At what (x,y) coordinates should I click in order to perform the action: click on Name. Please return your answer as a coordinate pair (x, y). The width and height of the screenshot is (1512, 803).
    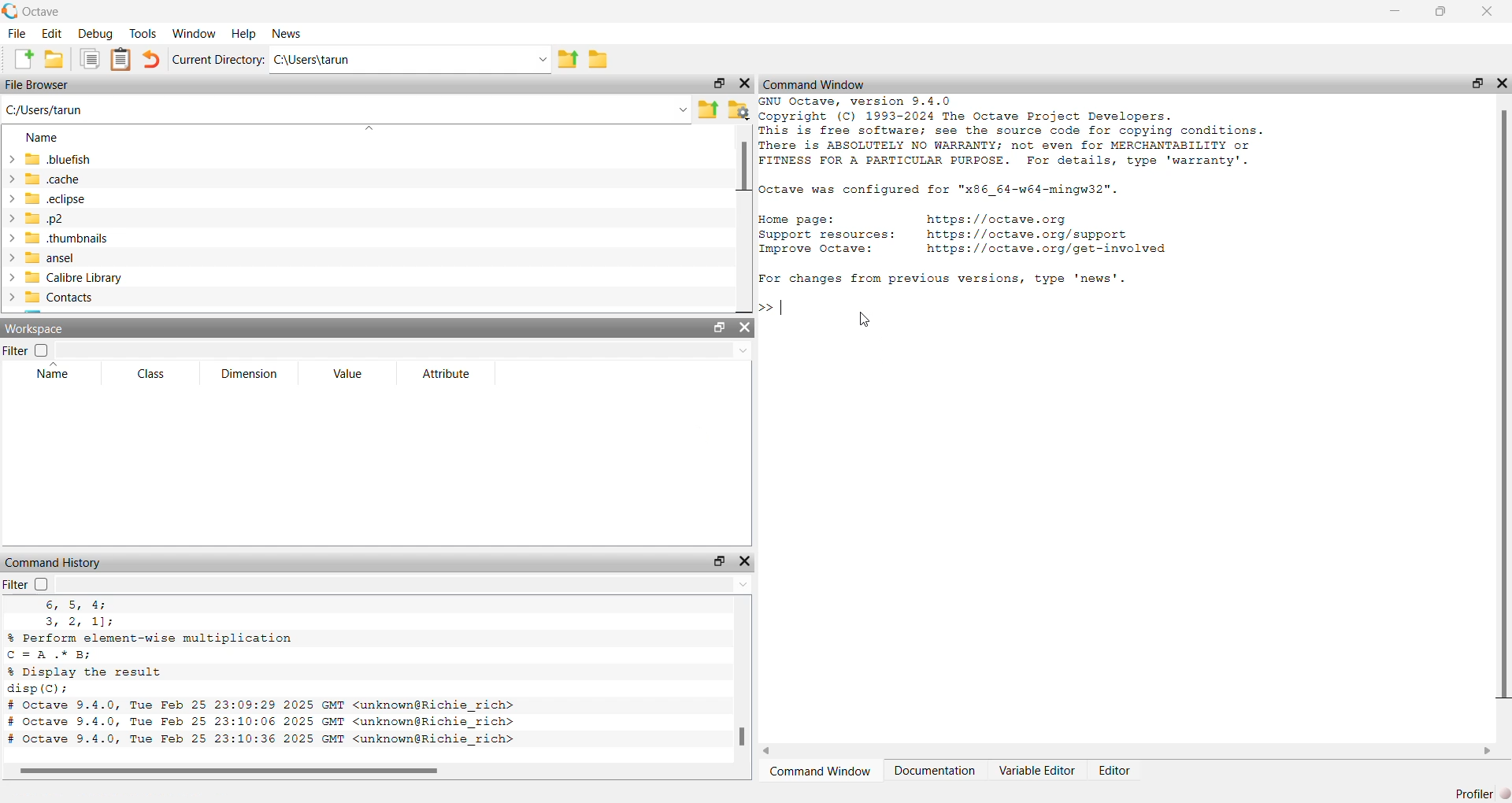
    Looking at the image, I should click on (54, 371).